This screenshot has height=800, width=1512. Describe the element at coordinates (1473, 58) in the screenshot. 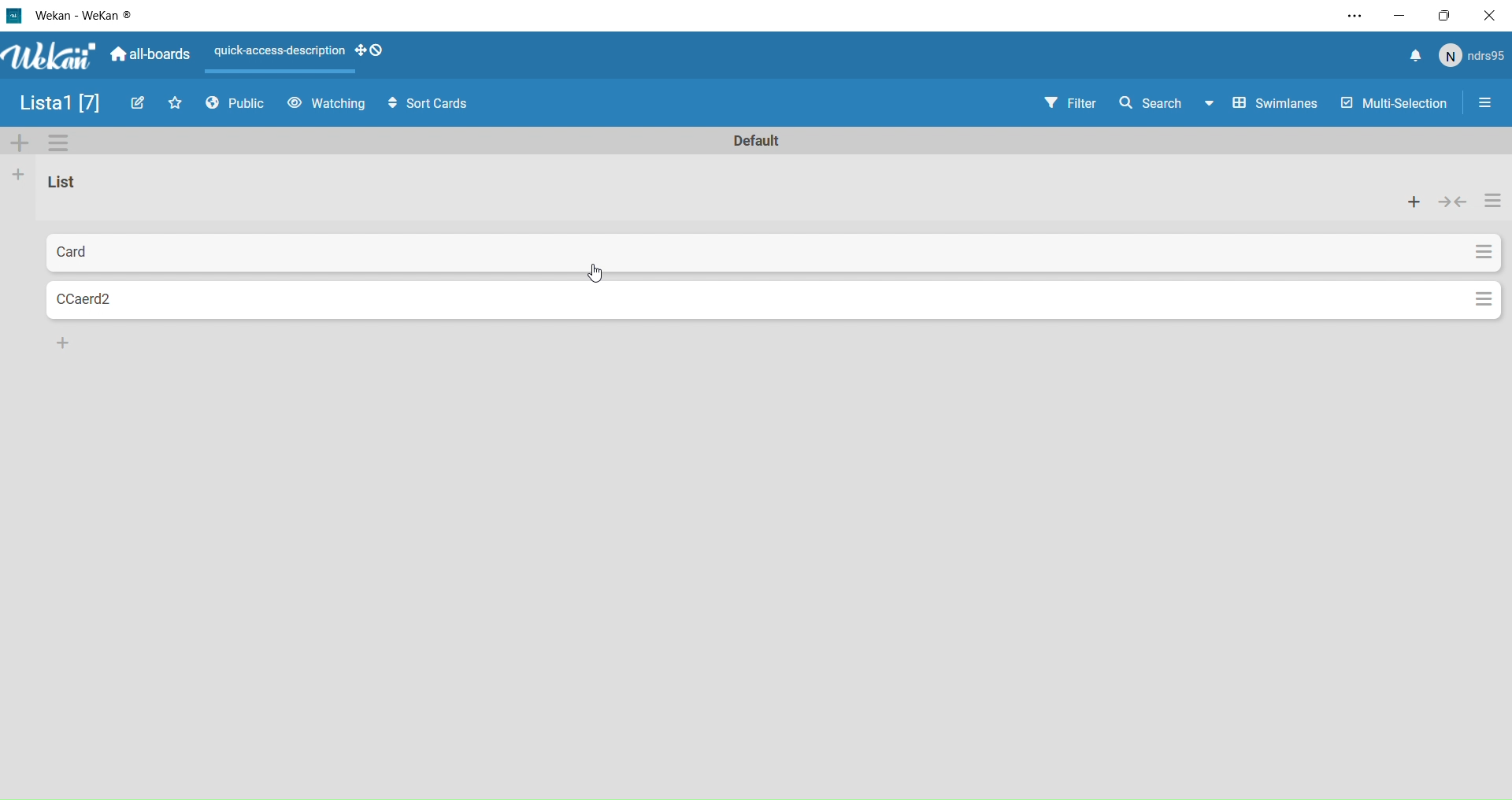

I see `User` at that location.